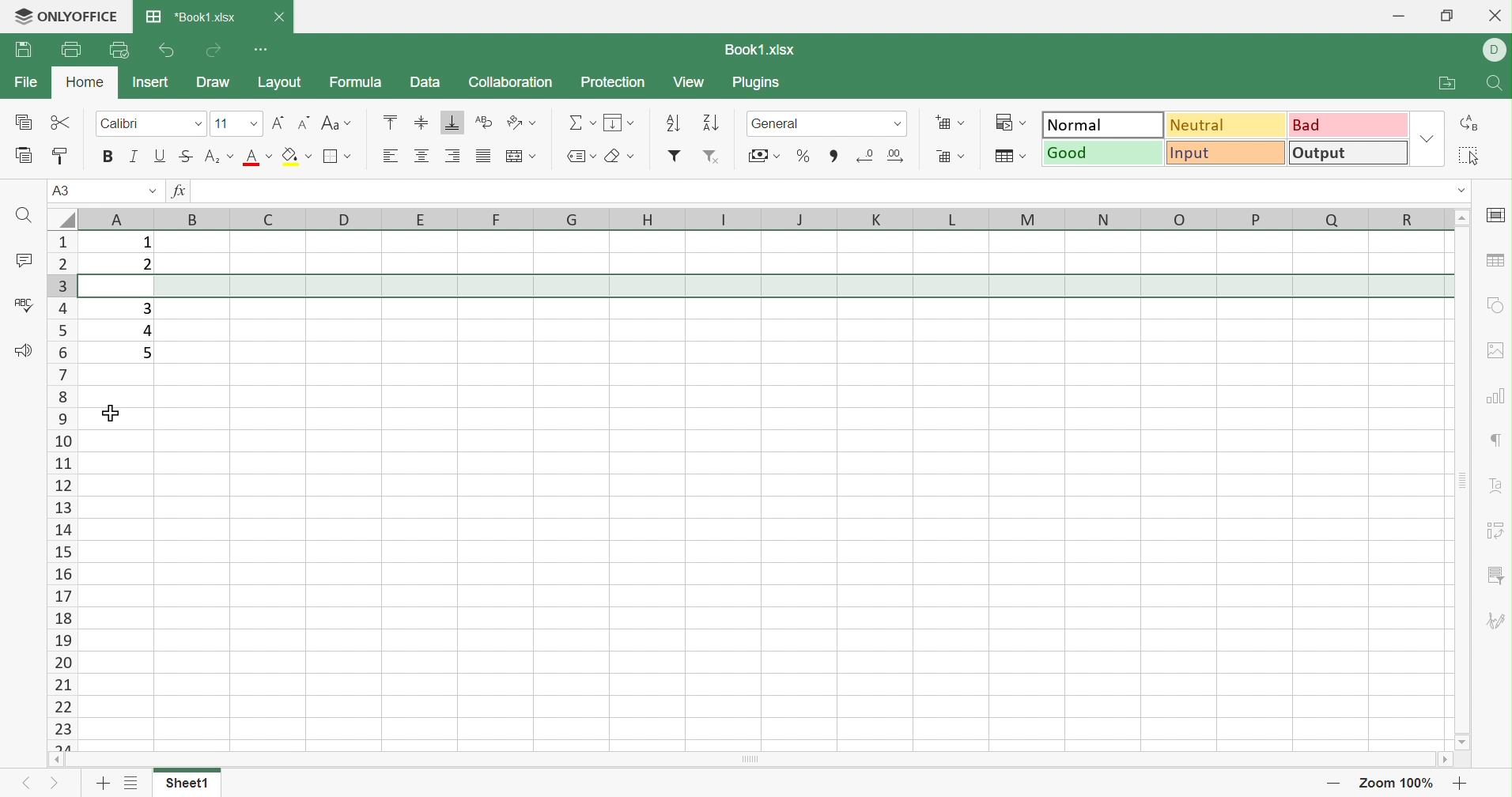 The width and height of the screenshot is (1512, 797). I want to click on Restore Down, so click(1447, 15).